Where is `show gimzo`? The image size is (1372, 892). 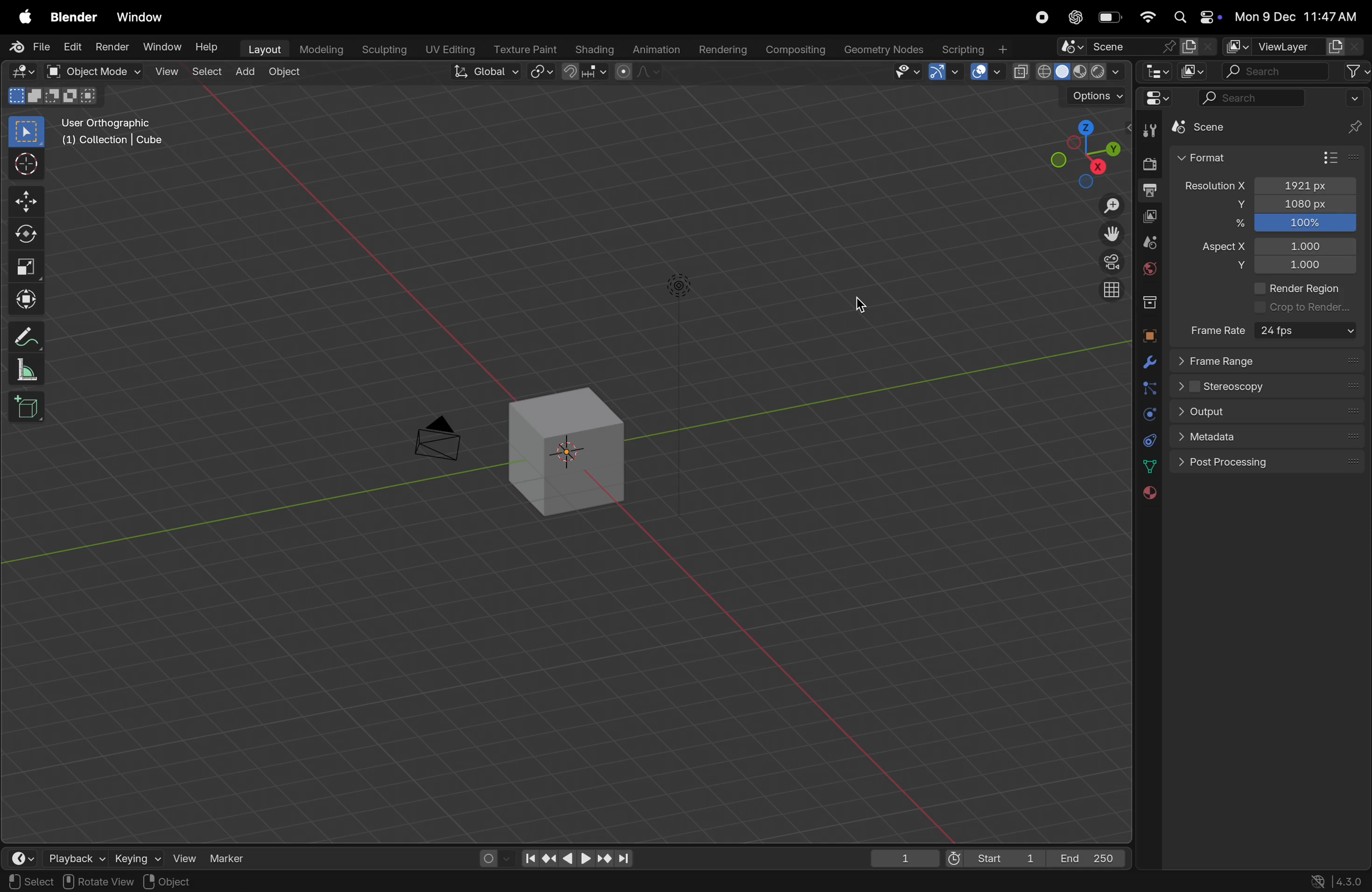 show gimzo is located at coordinates (943, 72).